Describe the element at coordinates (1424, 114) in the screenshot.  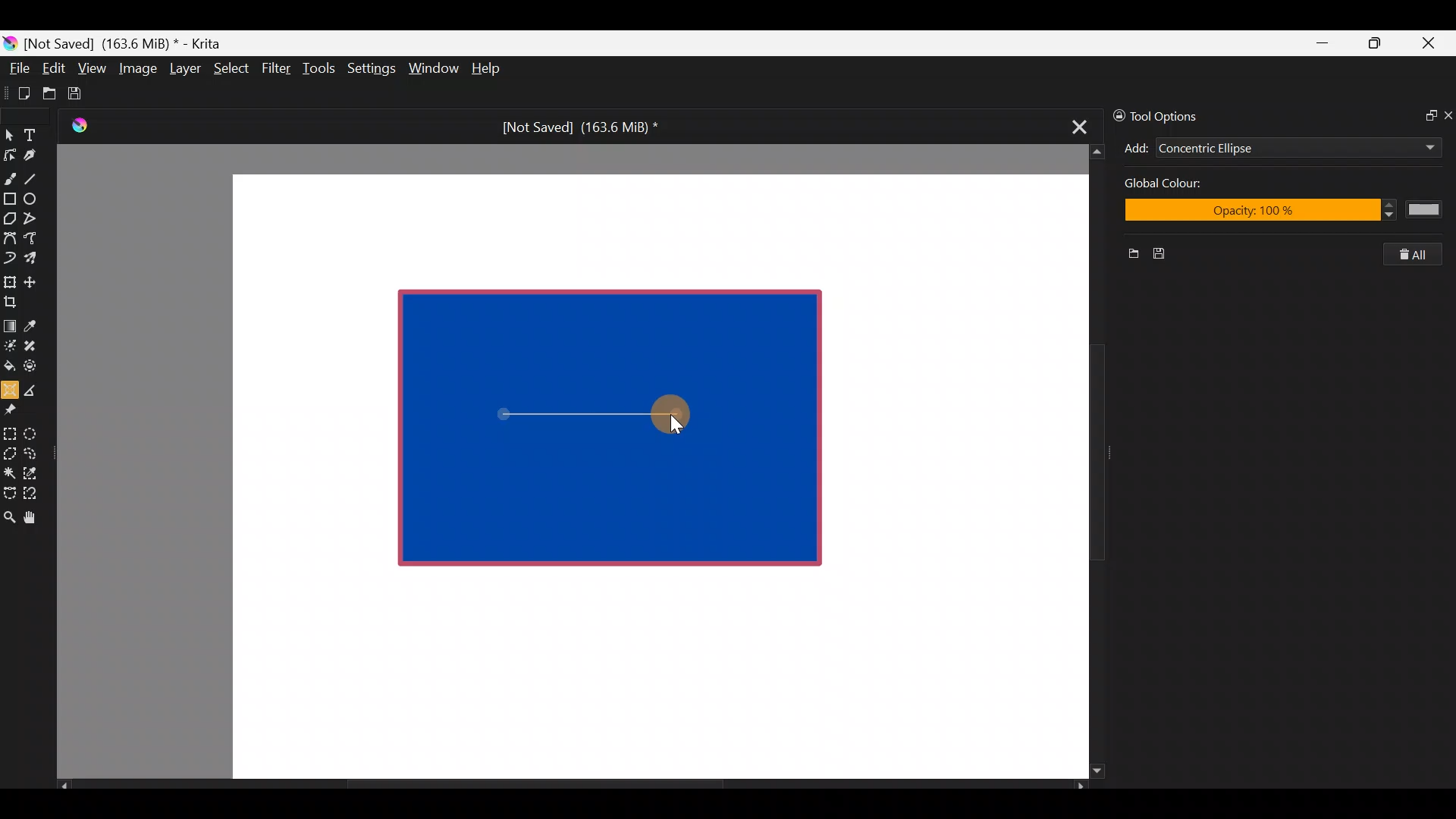
I see `Float docker` at that location.